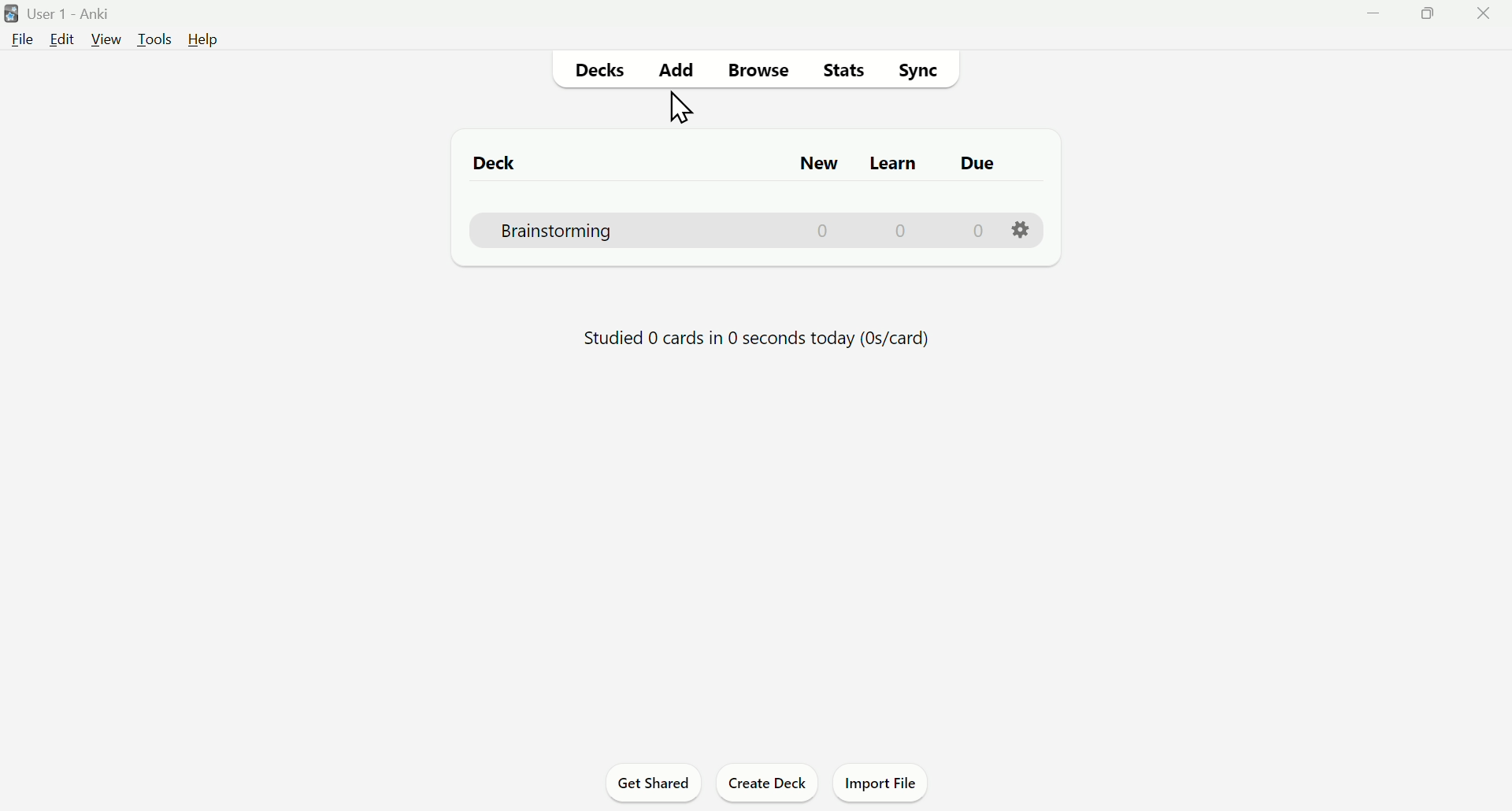 This screenshot has height=811, width=1512. I want to click on Add, so click(680, 69).